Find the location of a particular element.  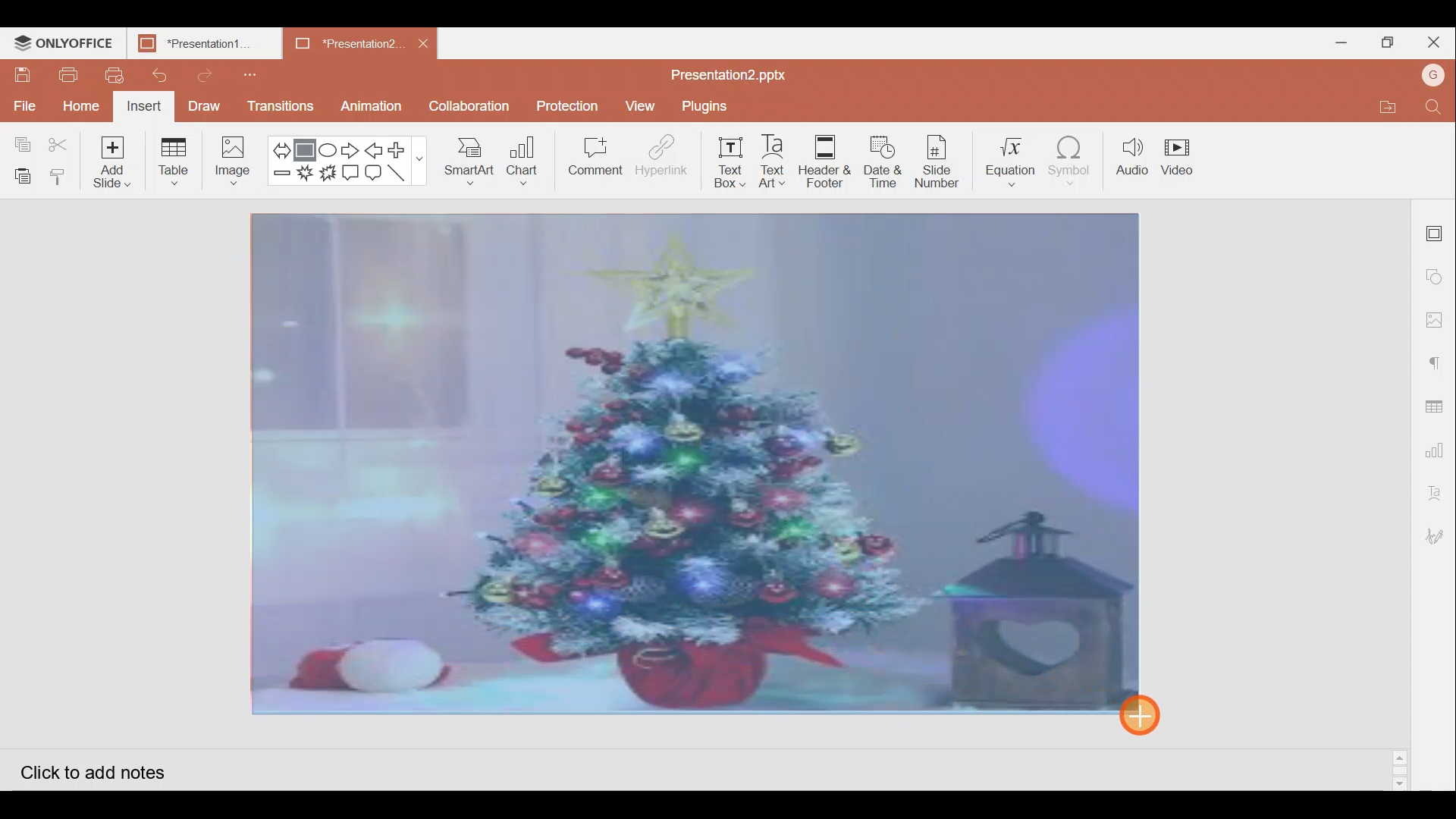

Chart is located at coordinates (520, 164).